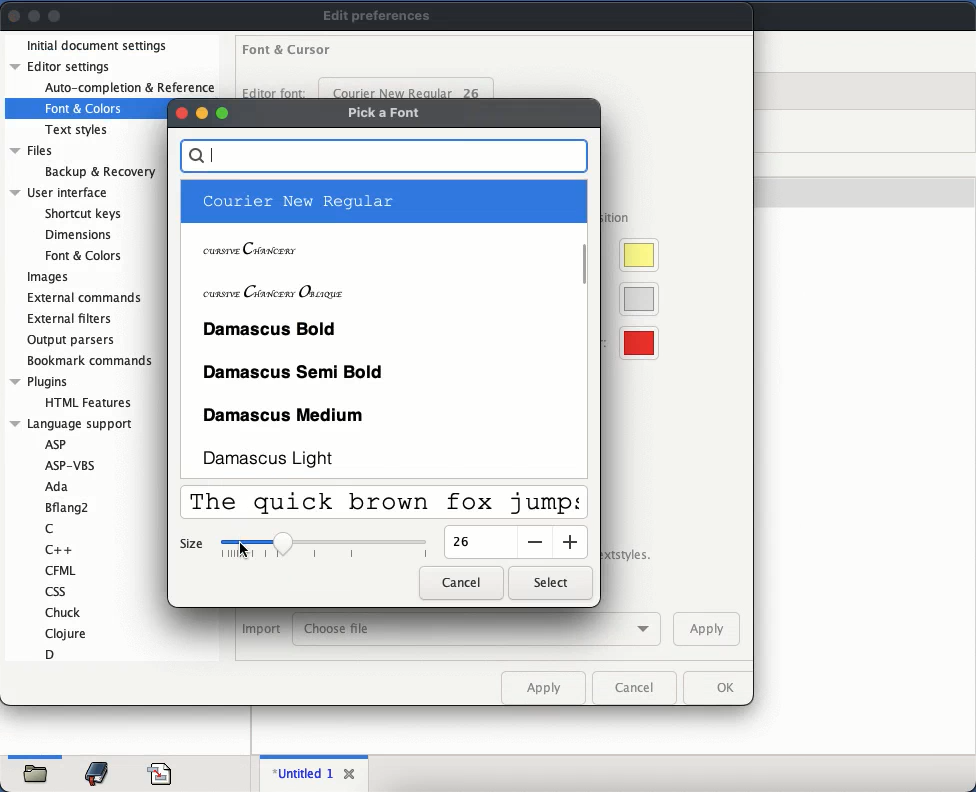 Image resolution: width=976 pixels, height=792 pixels. What do you see at coordinates (74, 425) in the screenshot?
I see `Language support` at bounding box center [74, 425].